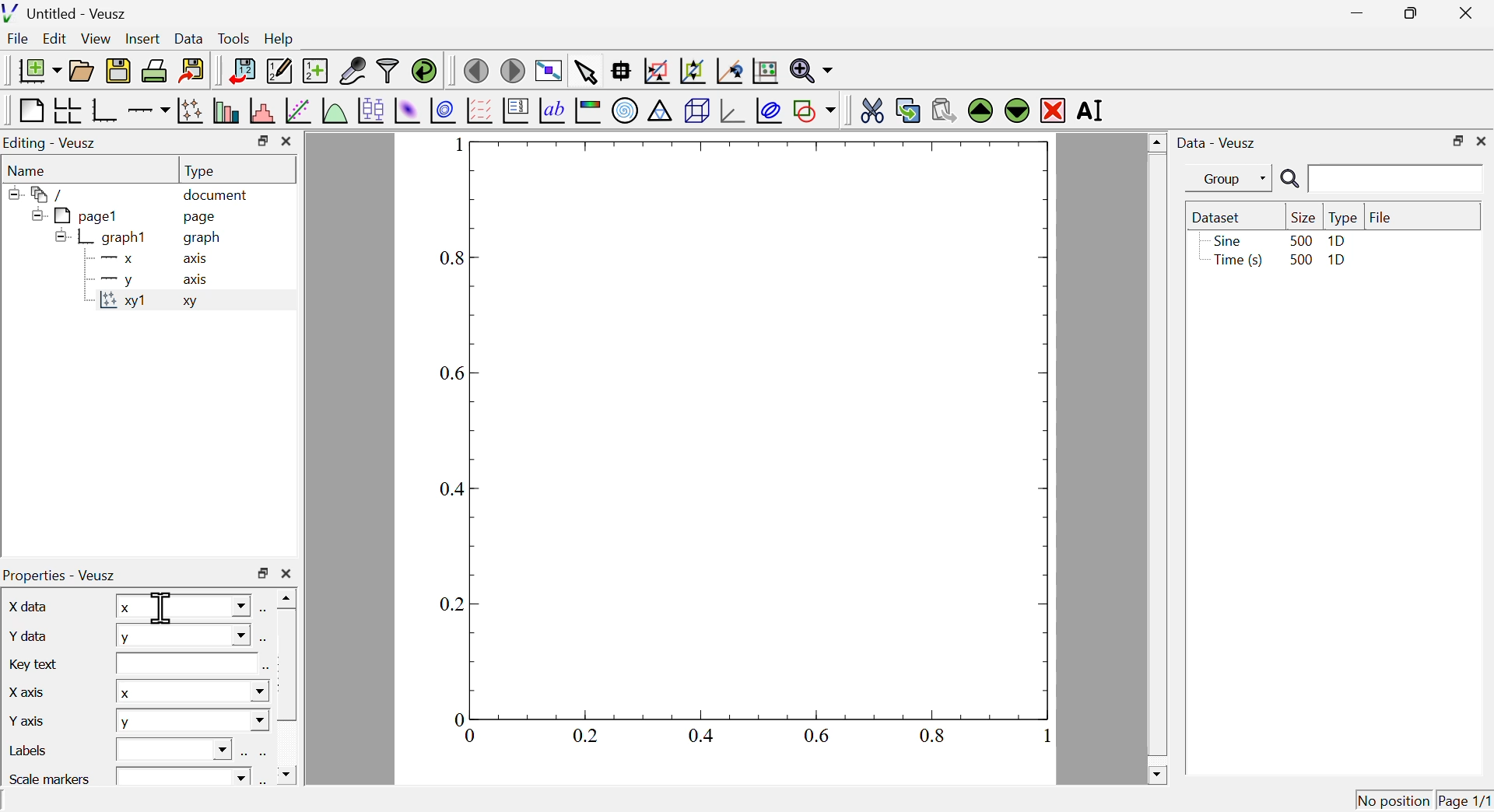  I want to click on y, so click(192, 722).